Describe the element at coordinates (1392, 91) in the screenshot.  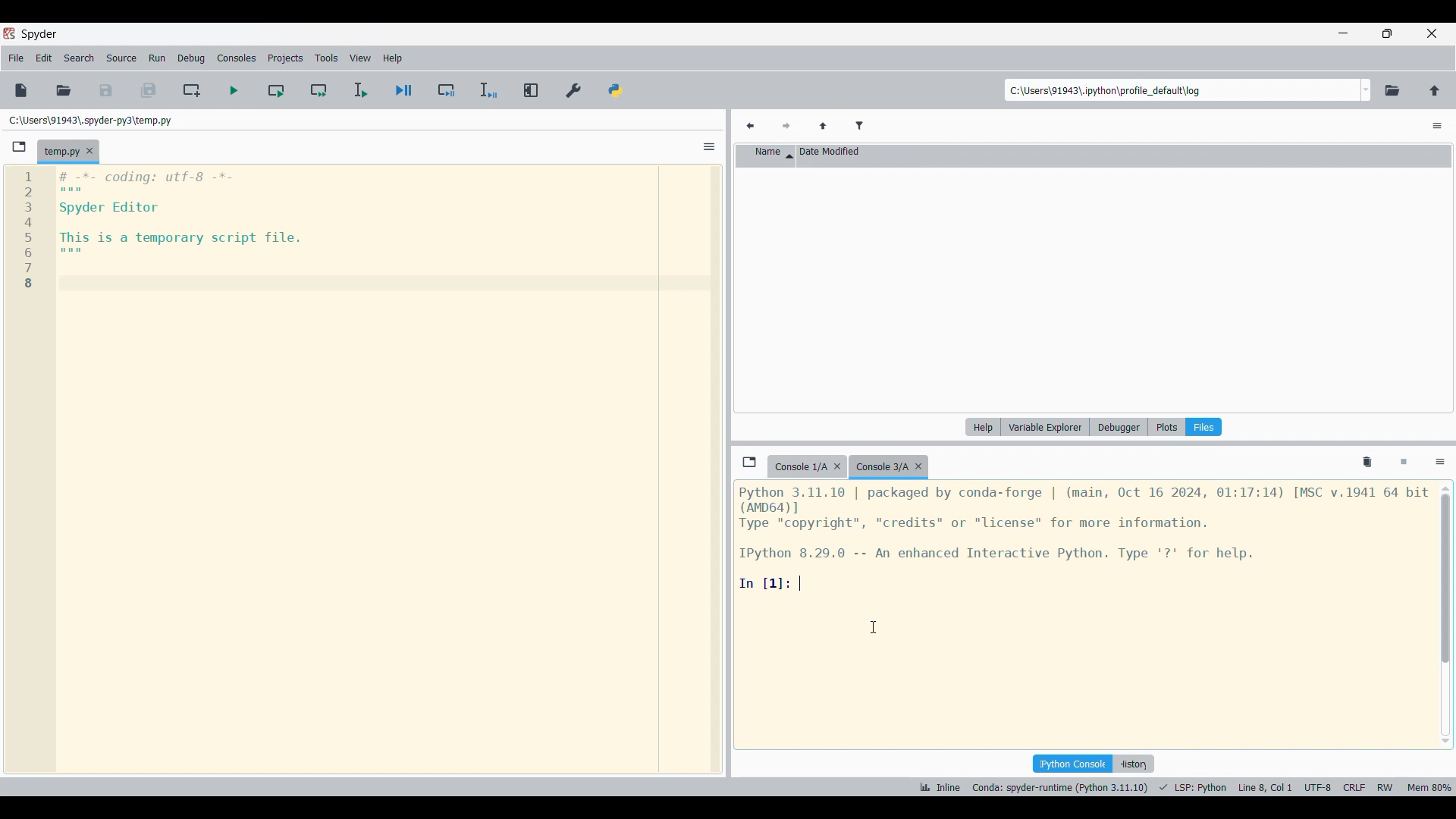
I see `Browse working directory` at that location.